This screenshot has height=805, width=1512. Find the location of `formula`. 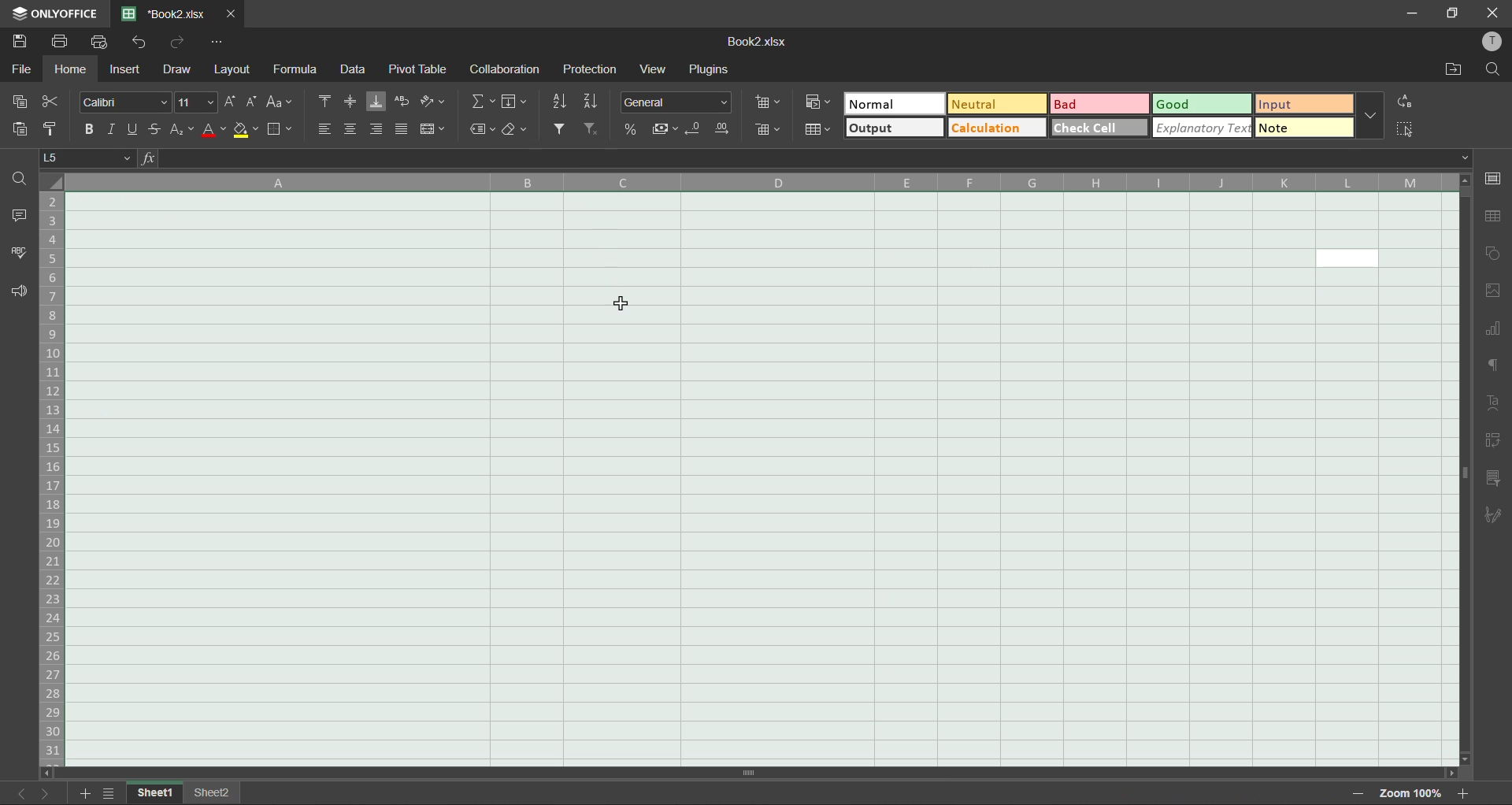

formula is located at coordinates (298, 70).